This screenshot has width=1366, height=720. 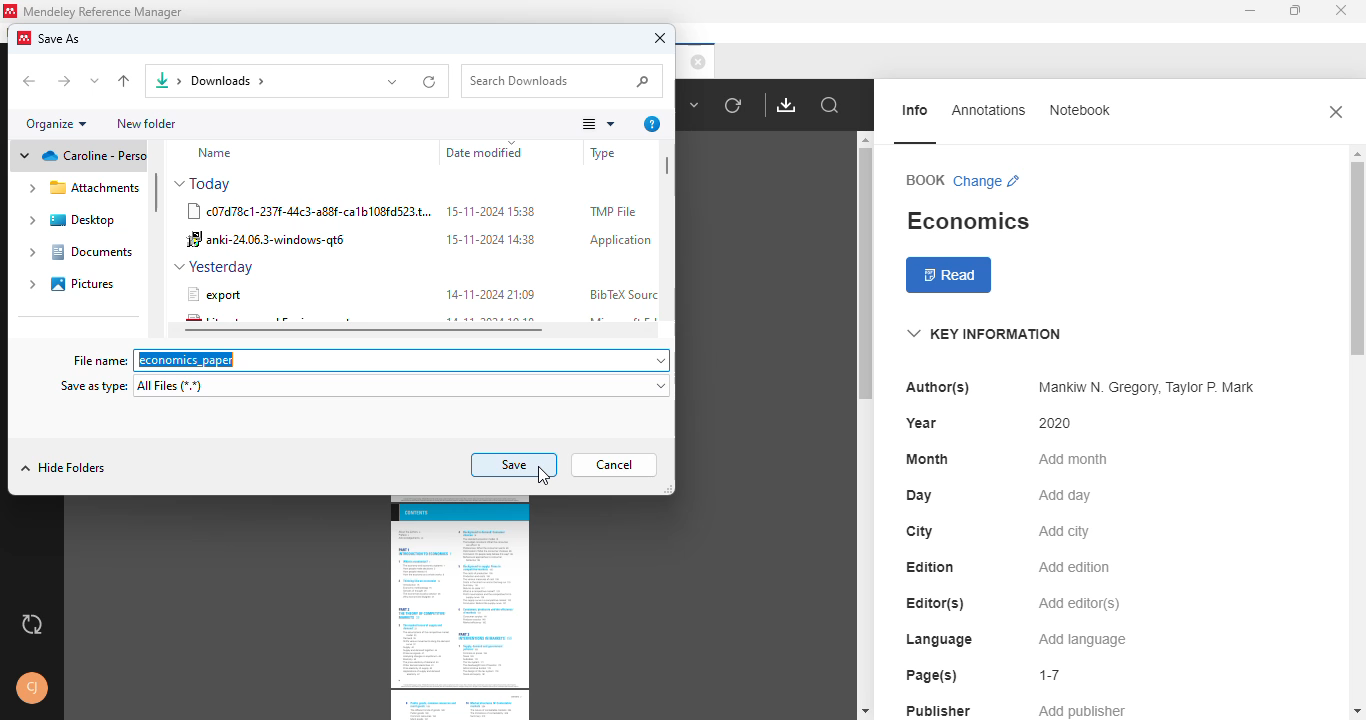 What do you see at coordinates (61, 469) in the screenshot?
I see `hide folders` at bounding box center [61, 469].